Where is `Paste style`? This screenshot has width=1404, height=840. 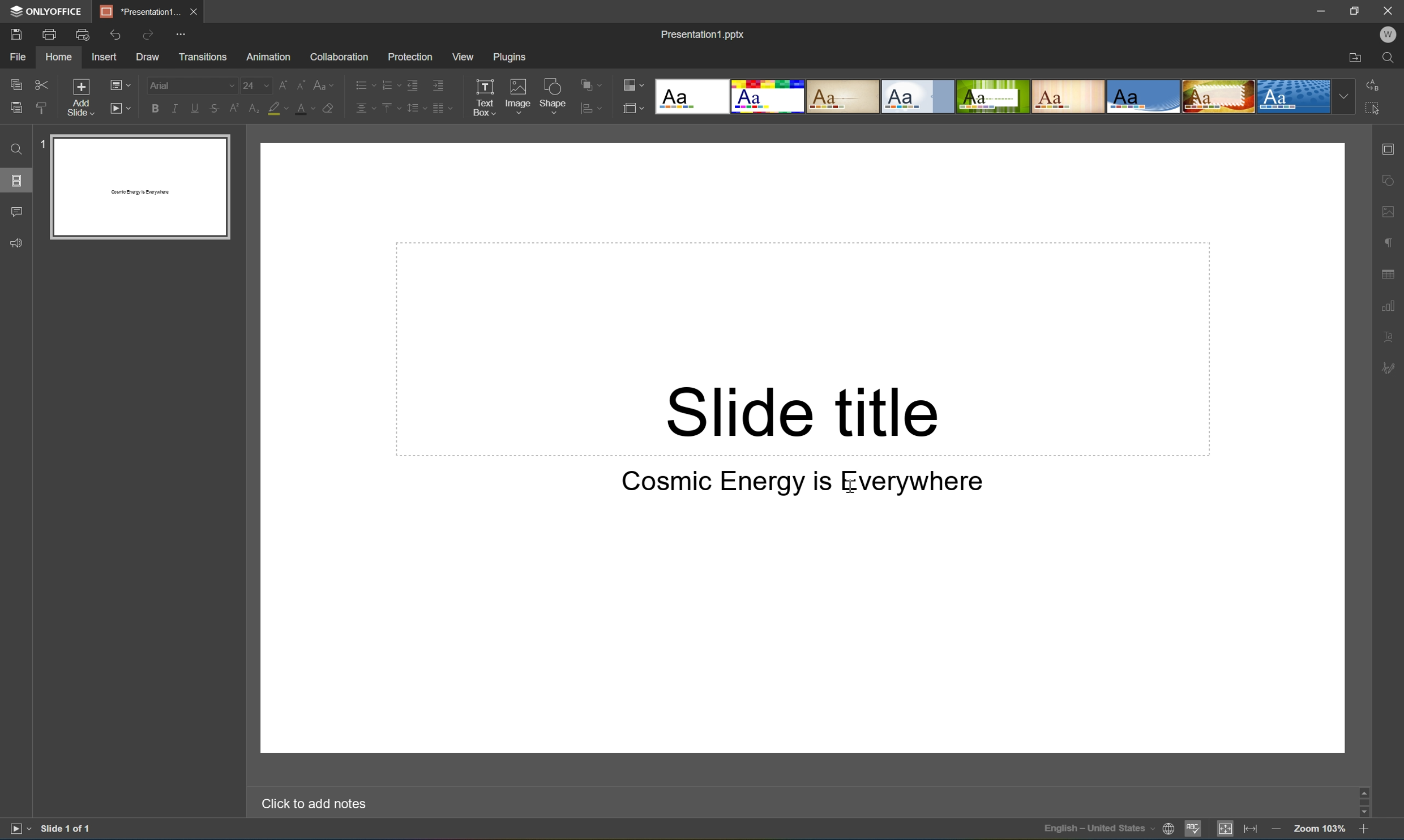
Paste style is located at coordinates (45, 107).